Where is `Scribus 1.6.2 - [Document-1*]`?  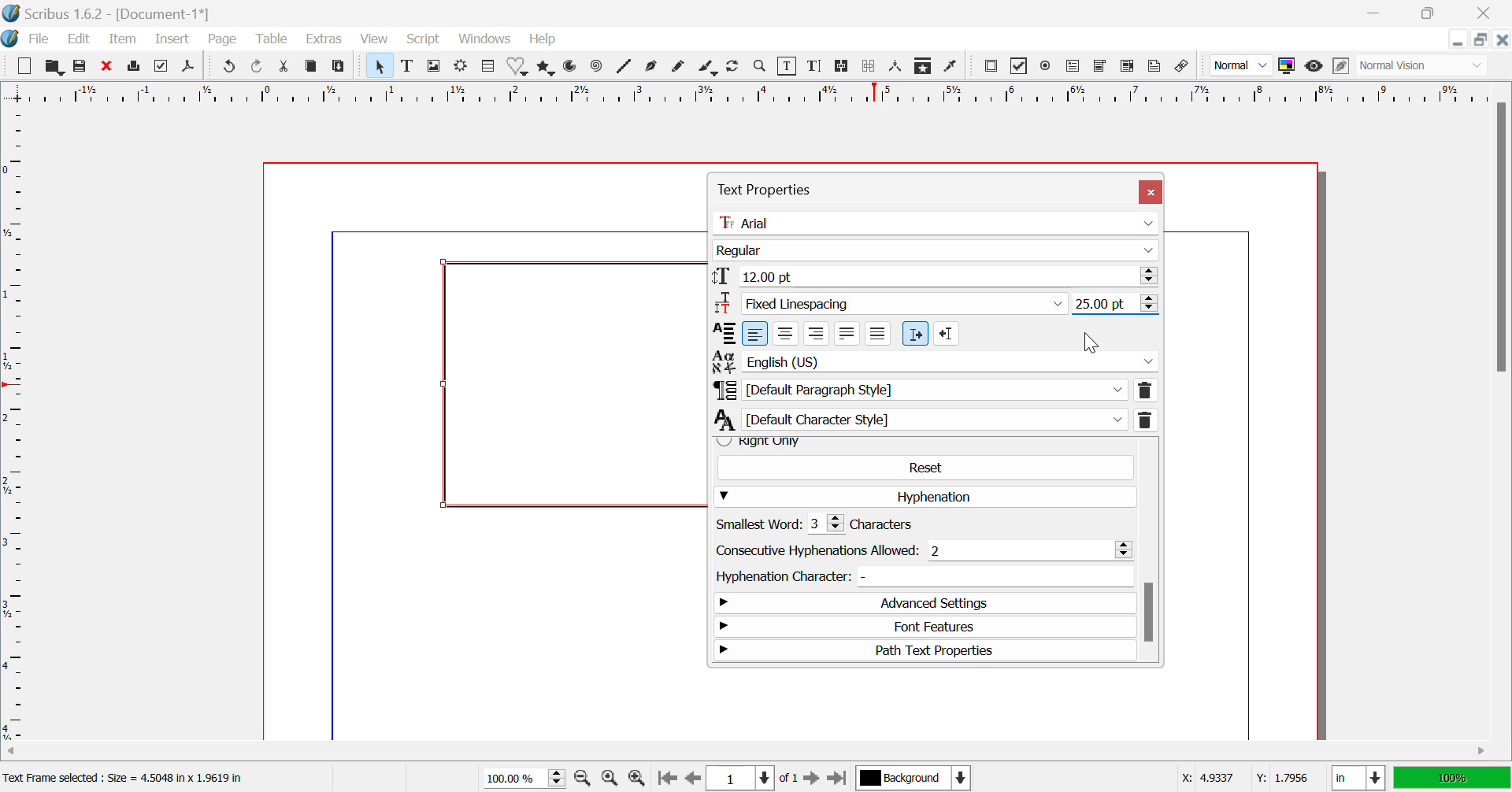 Scribus 1.6.2 - [Document-1*] is located at coordinates (125, 12).